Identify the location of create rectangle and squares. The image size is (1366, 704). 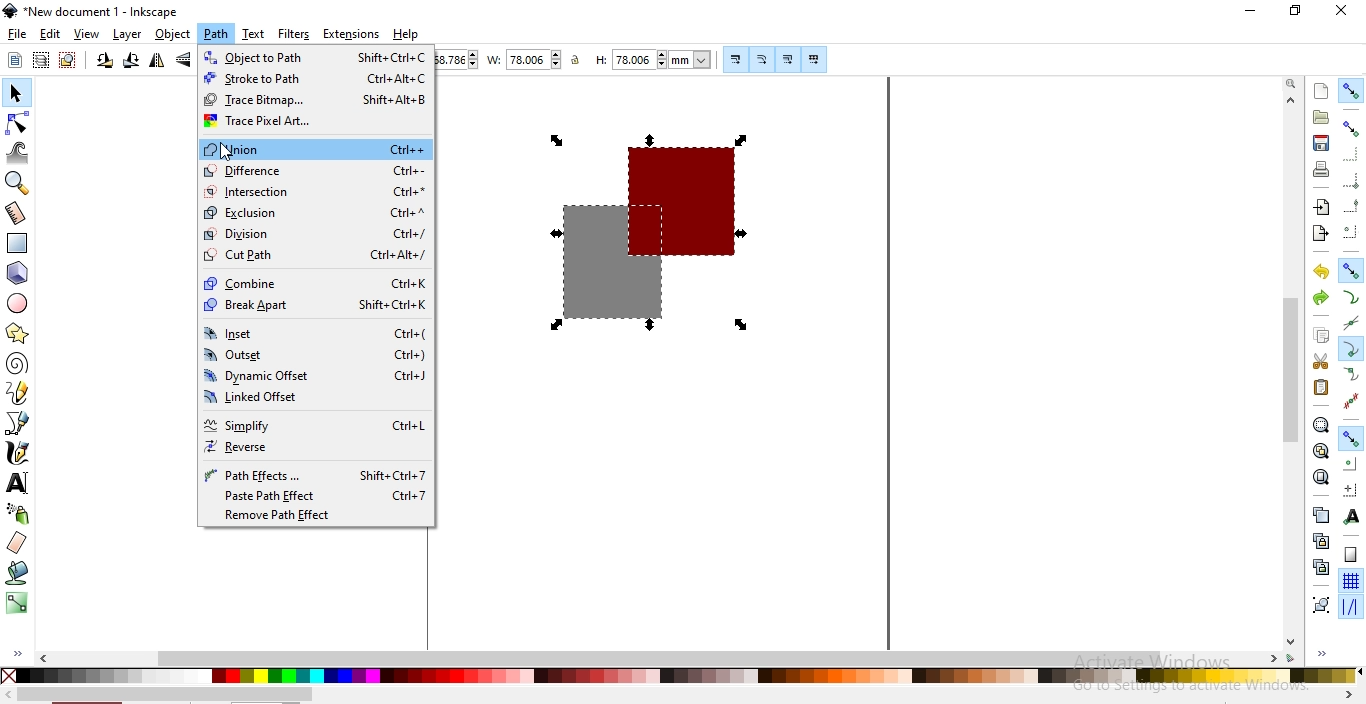
(18, 243).